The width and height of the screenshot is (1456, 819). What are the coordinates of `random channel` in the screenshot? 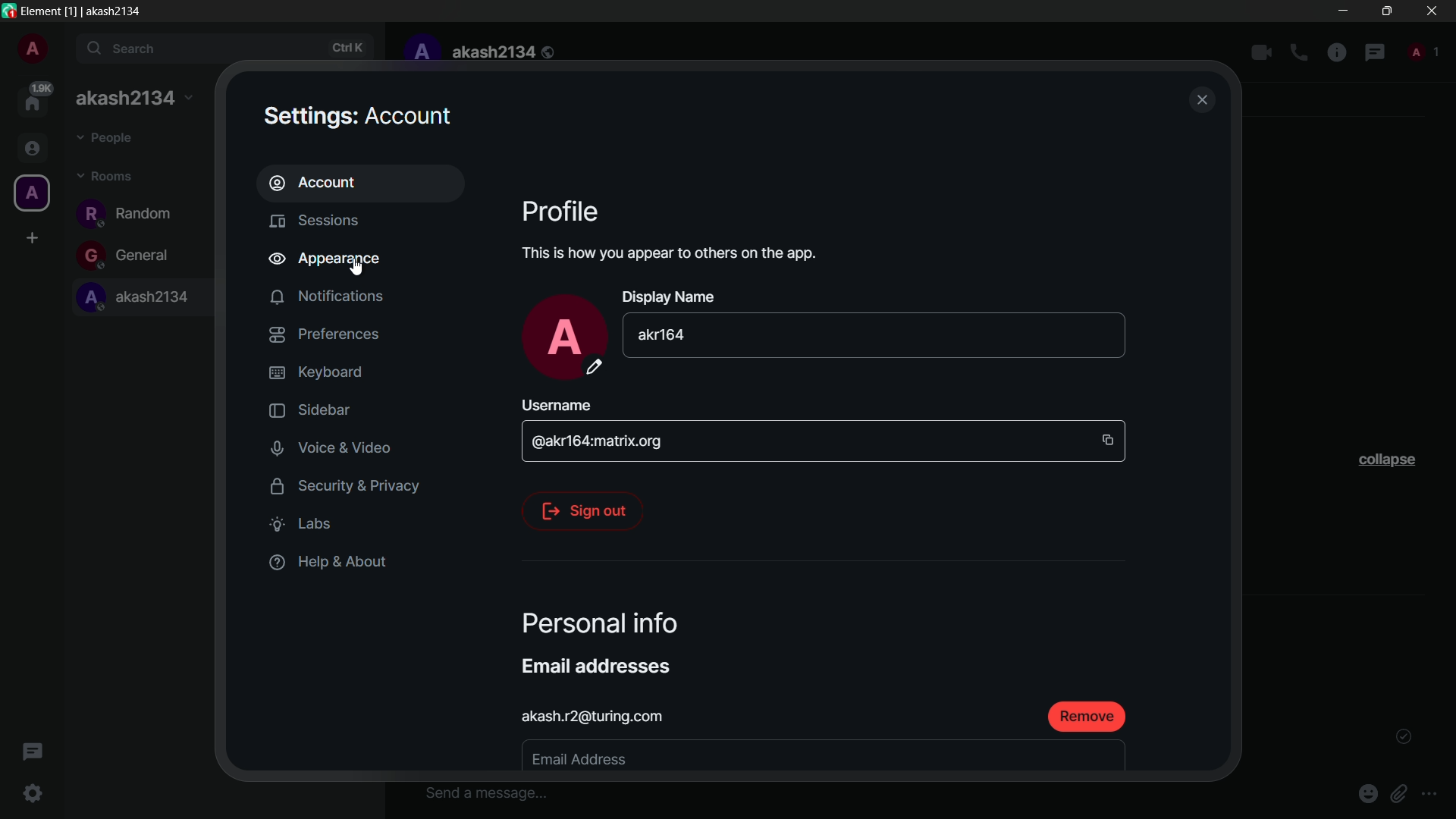 It's located at (129, 213).